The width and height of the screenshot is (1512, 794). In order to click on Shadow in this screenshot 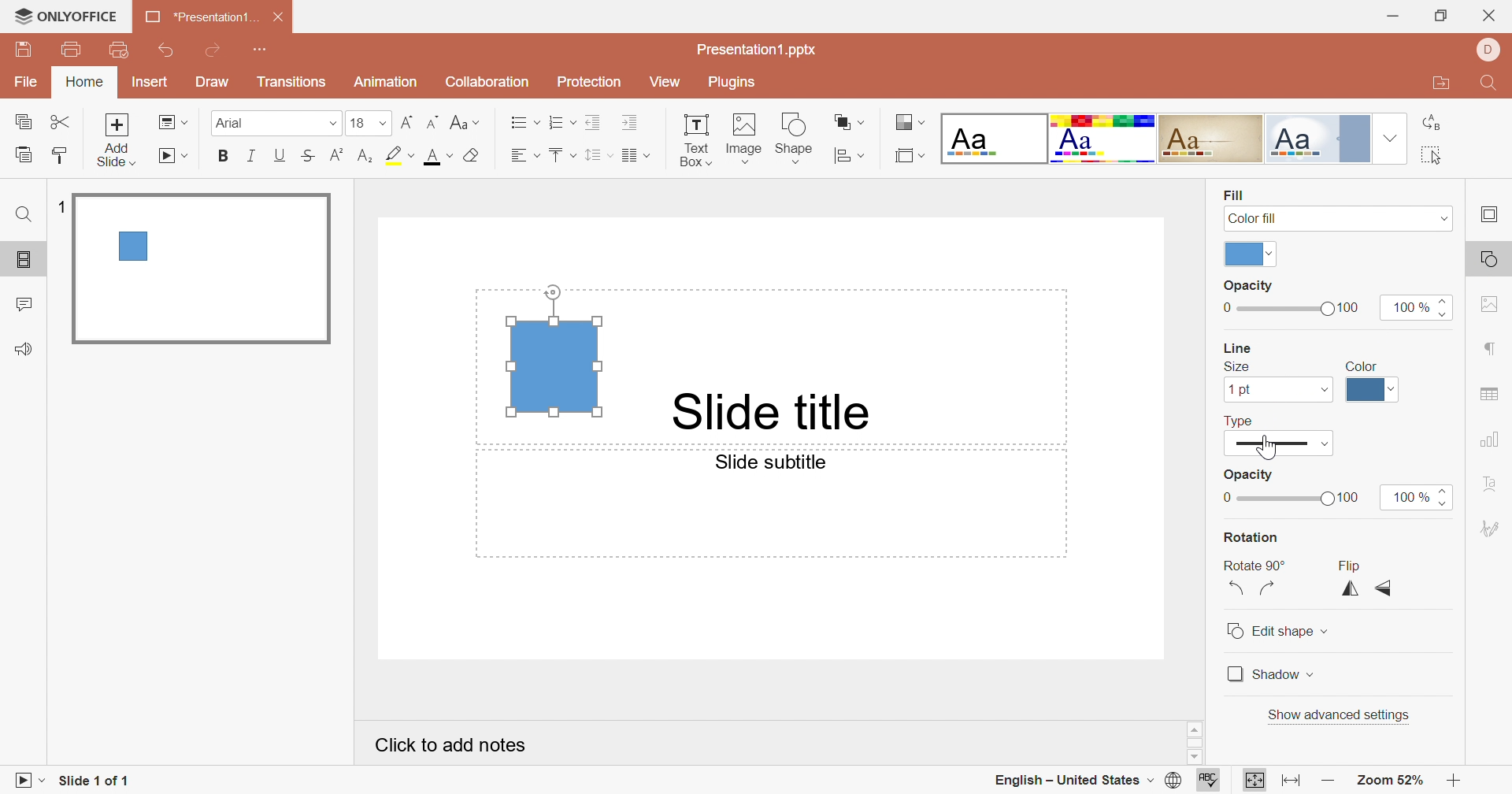, I will do `click(1262, 677)`.